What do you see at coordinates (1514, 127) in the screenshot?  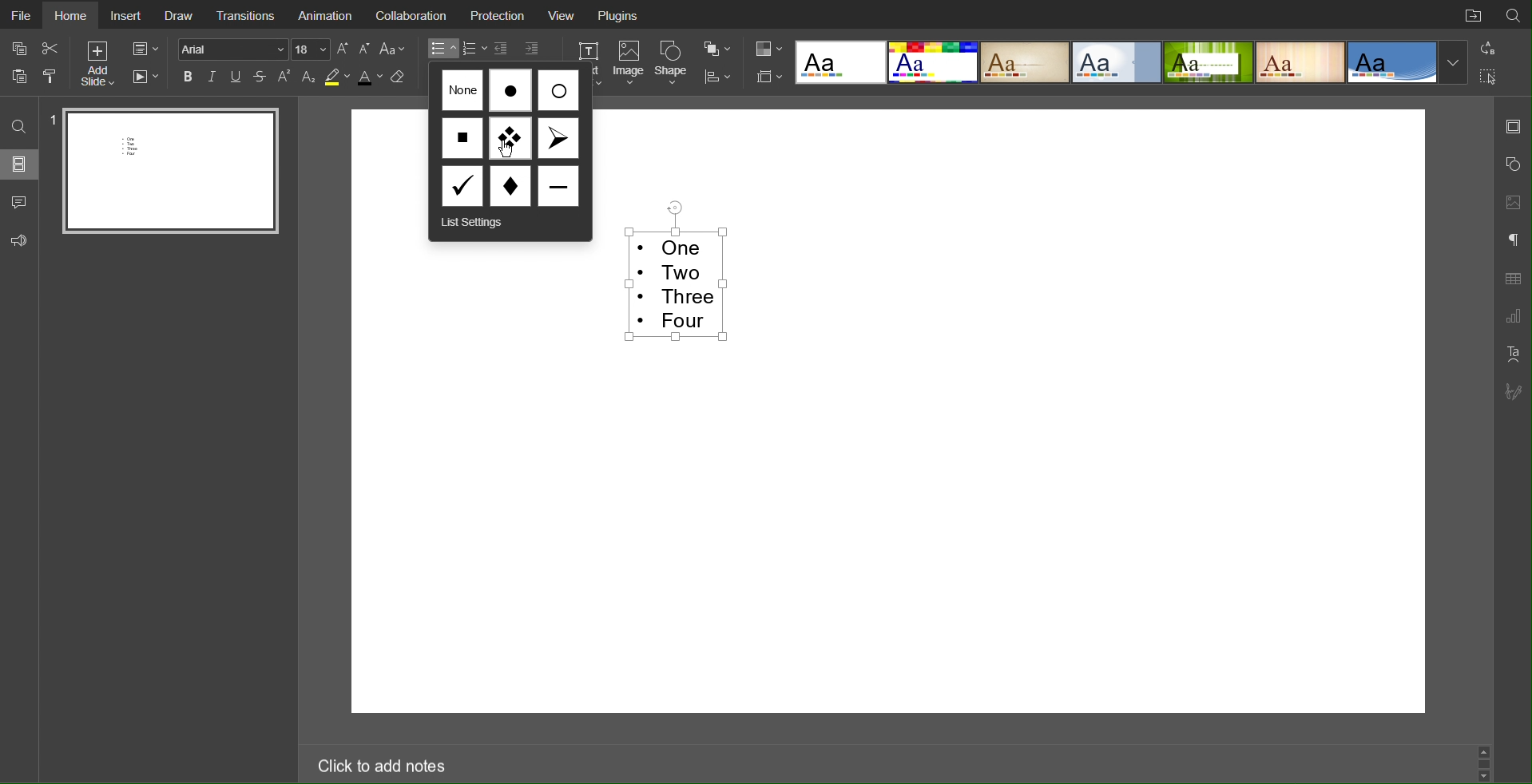 I see `Slide Settings` at bounding box center [1514, 127].